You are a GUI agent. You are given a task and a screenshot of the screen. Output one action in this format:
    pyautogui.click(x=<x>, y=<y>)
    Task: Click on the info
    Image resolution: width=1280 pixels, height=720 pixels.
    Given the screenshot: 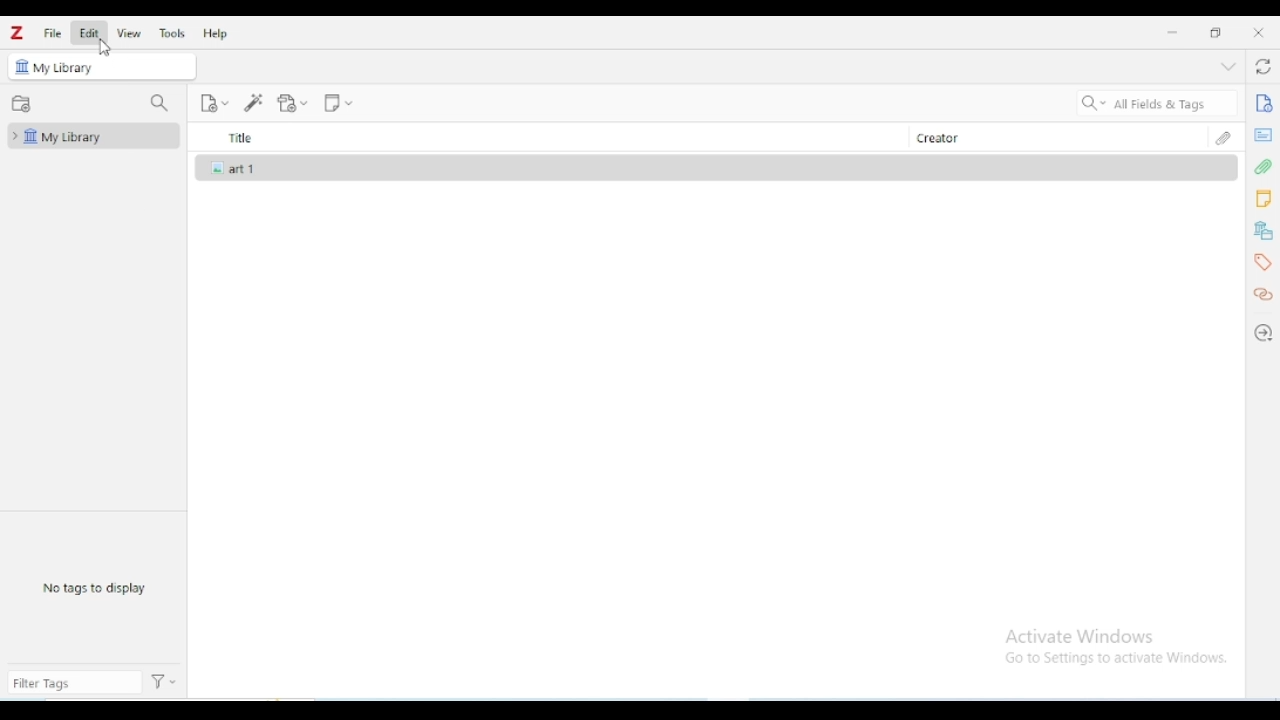 What is the action you would take?
    pyautogui.click(x=1264, y=102)
    